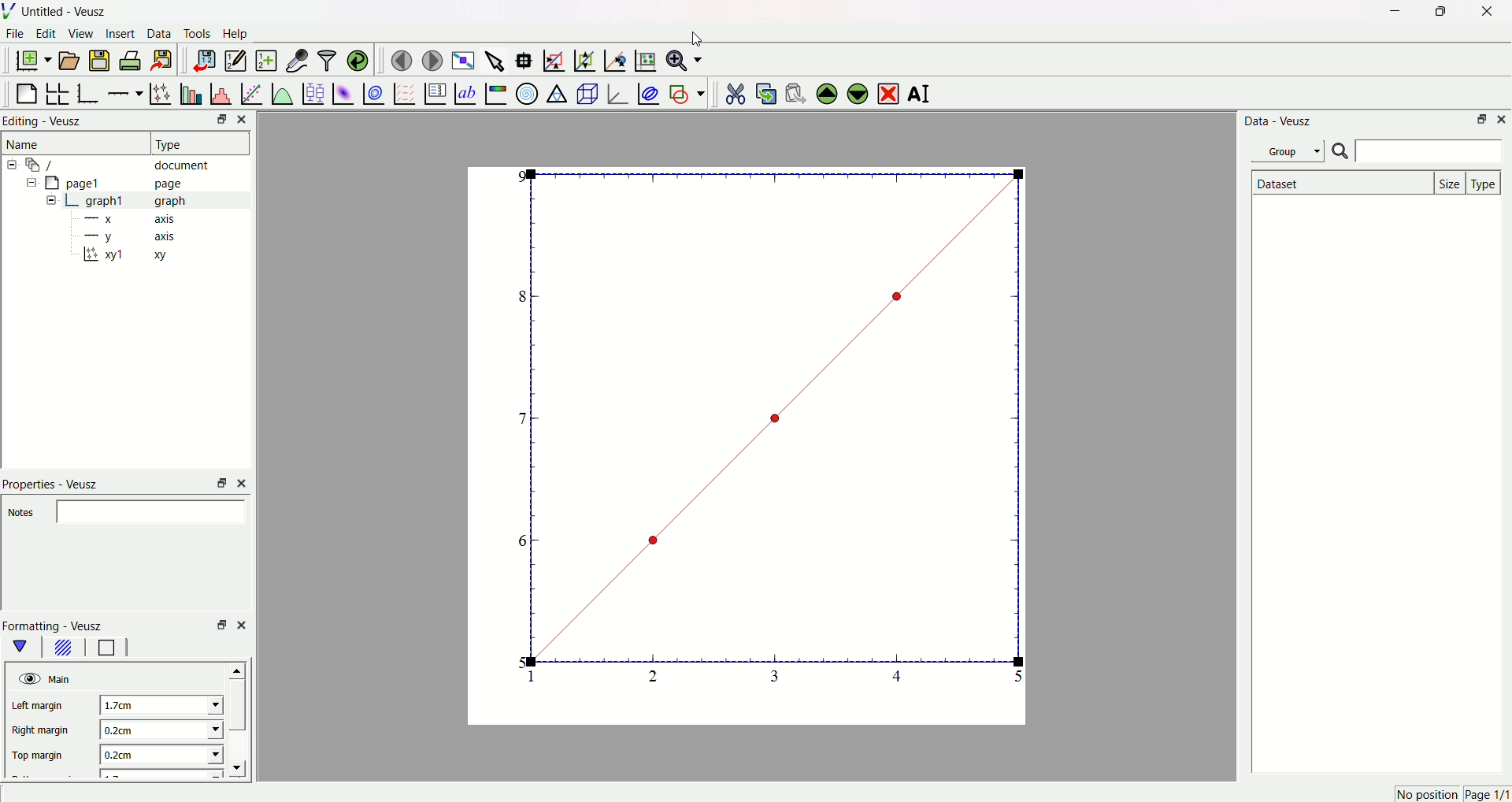 This screenshot has width=1512, height=802. Describe the element at coordinates (736, 450) in the screenshot. I see `page` at that location.